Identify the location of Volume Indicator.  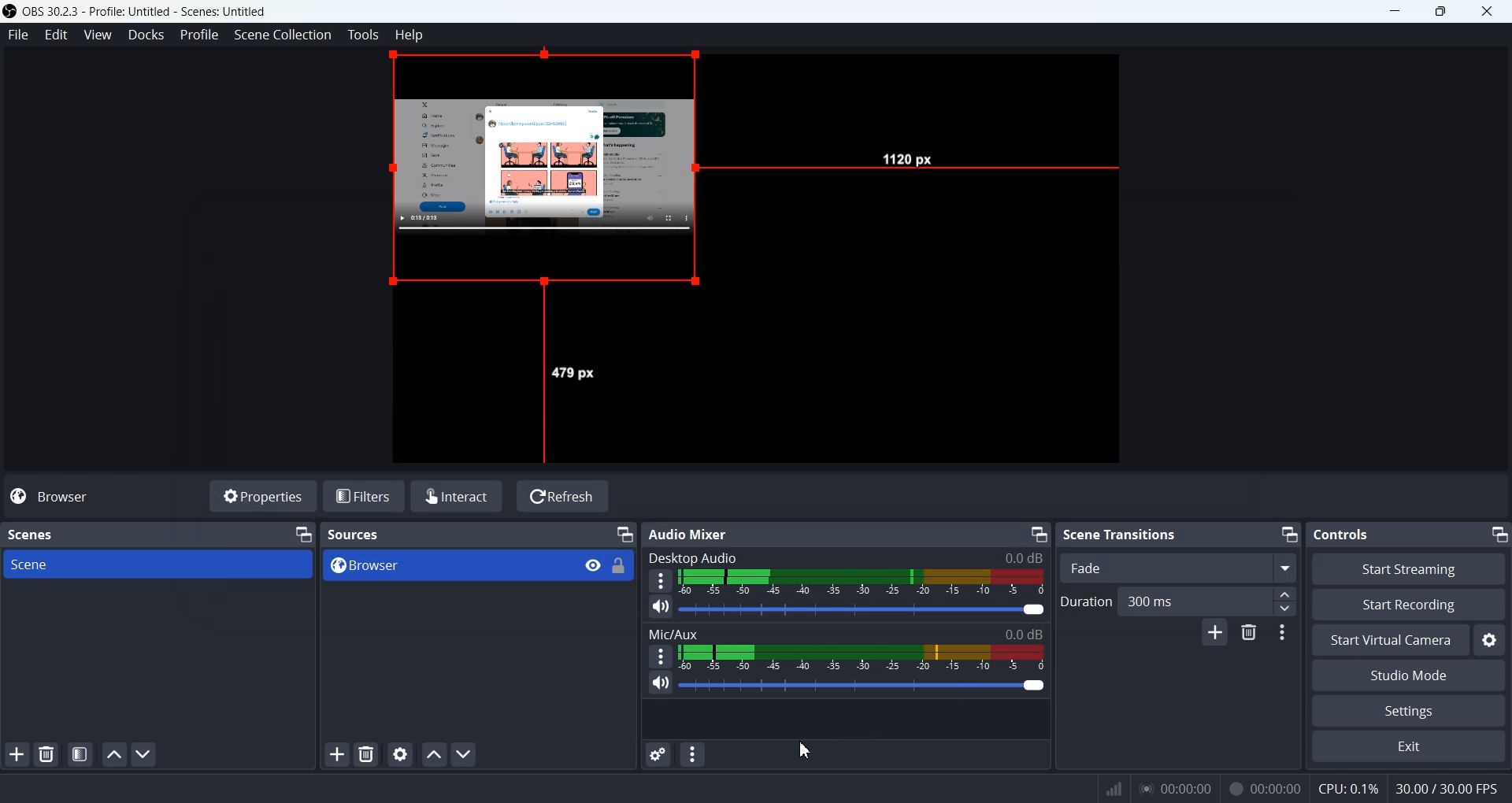
(862, 657).